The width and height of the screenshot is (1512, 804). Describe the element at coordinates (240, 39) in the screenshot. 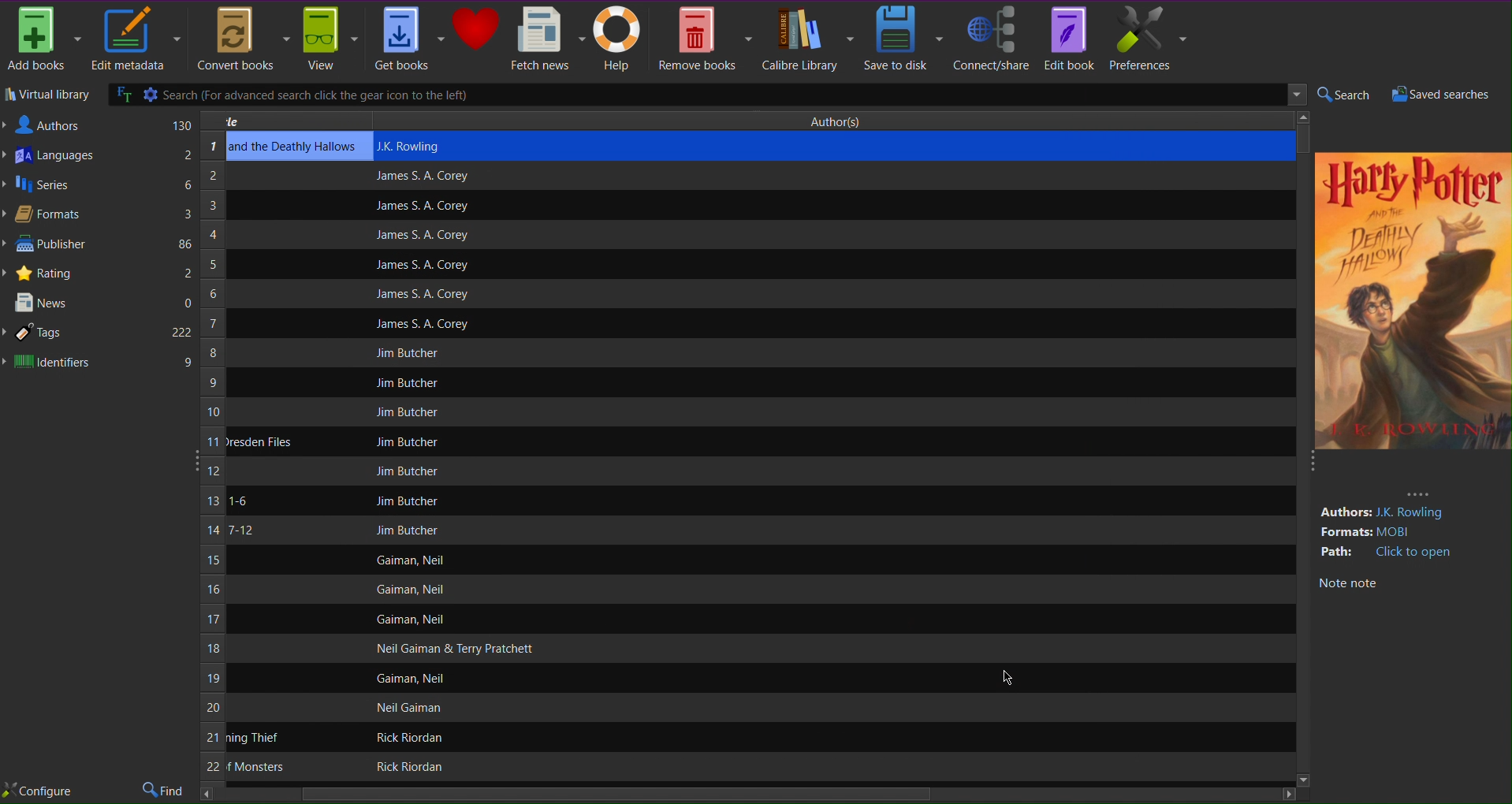

I see `Convert` at that location.